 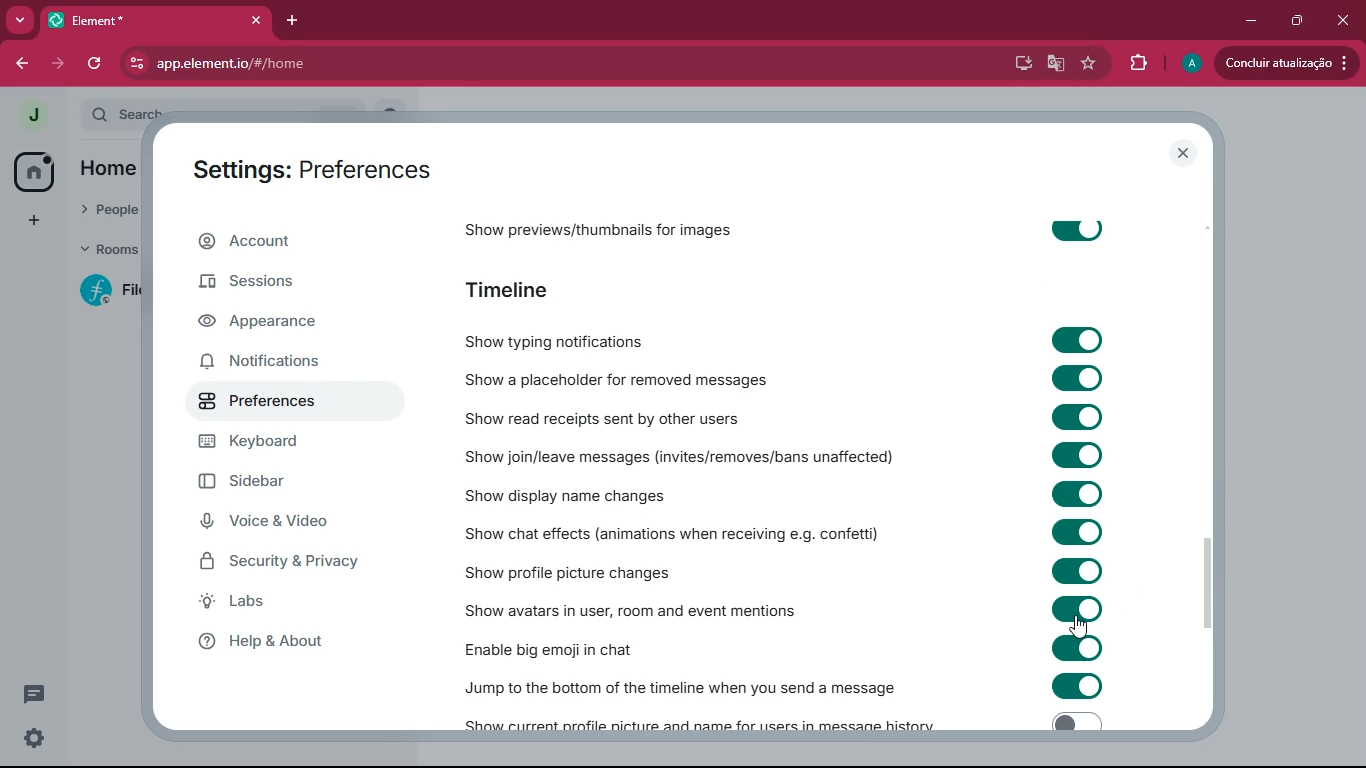 What do you see at coordinates (114, 290) in the screenshot?
I see `file` at bounding box center [114, 290].